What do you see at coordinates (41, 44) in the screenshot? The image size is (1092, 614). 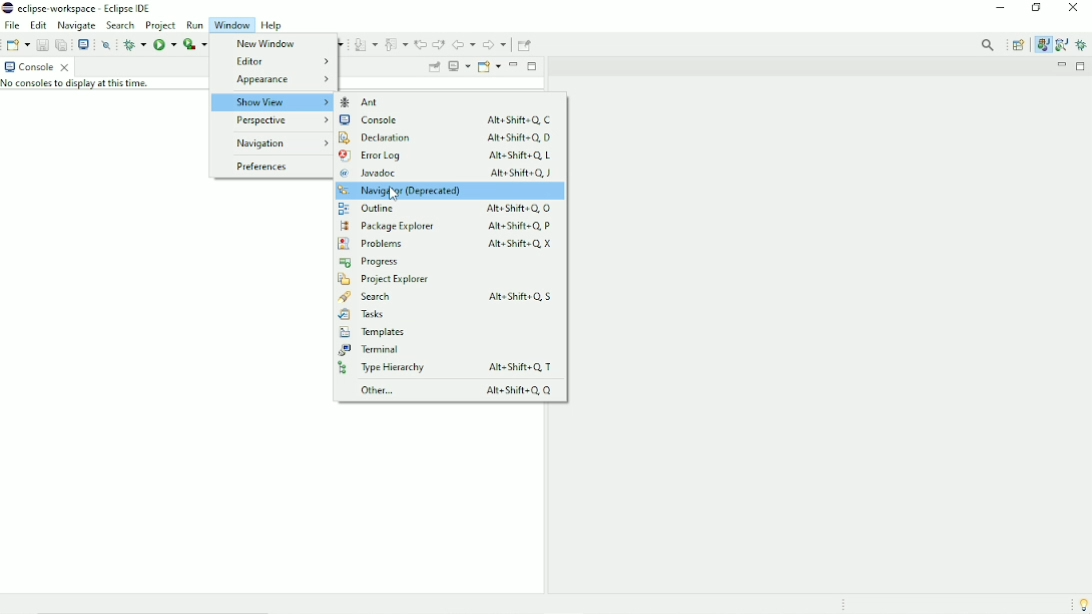 I see `Save` at bounding box center [41, 44].